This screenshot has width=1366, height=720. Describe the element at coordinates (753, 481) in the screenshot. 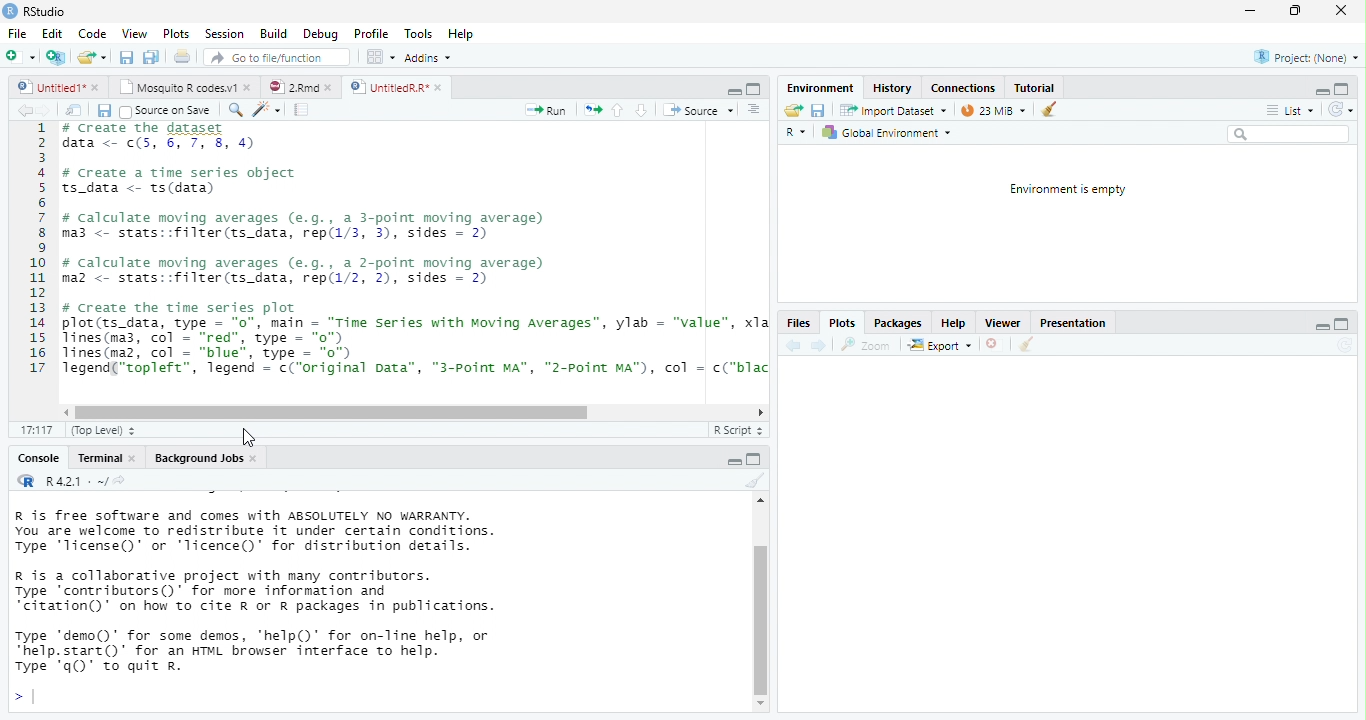

I see `clear` at that location.